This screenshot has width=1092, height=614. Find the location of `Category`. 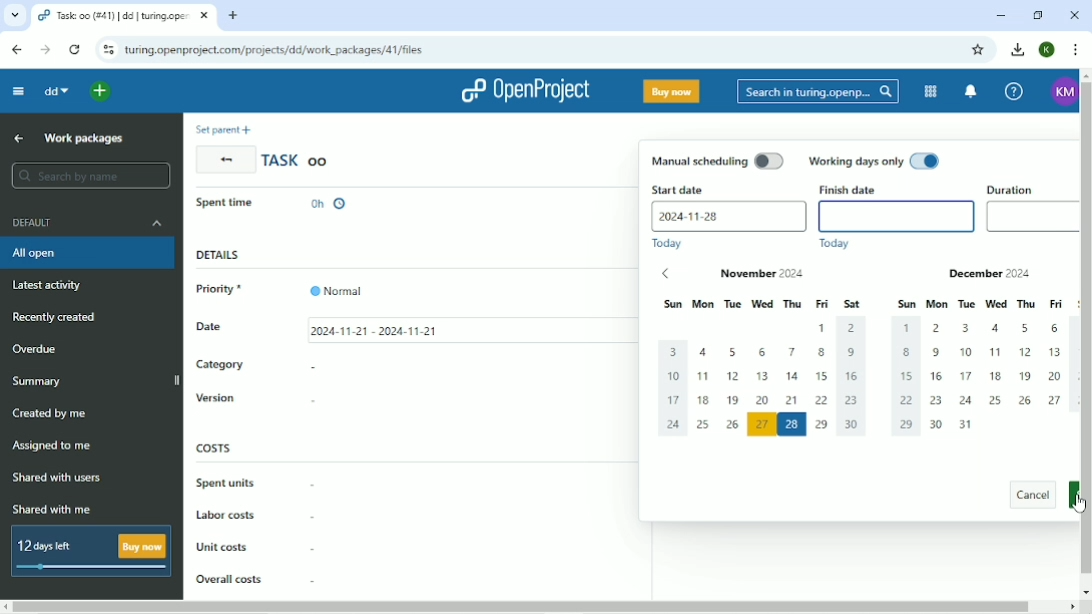

Category is located at coordinates (221, 364).